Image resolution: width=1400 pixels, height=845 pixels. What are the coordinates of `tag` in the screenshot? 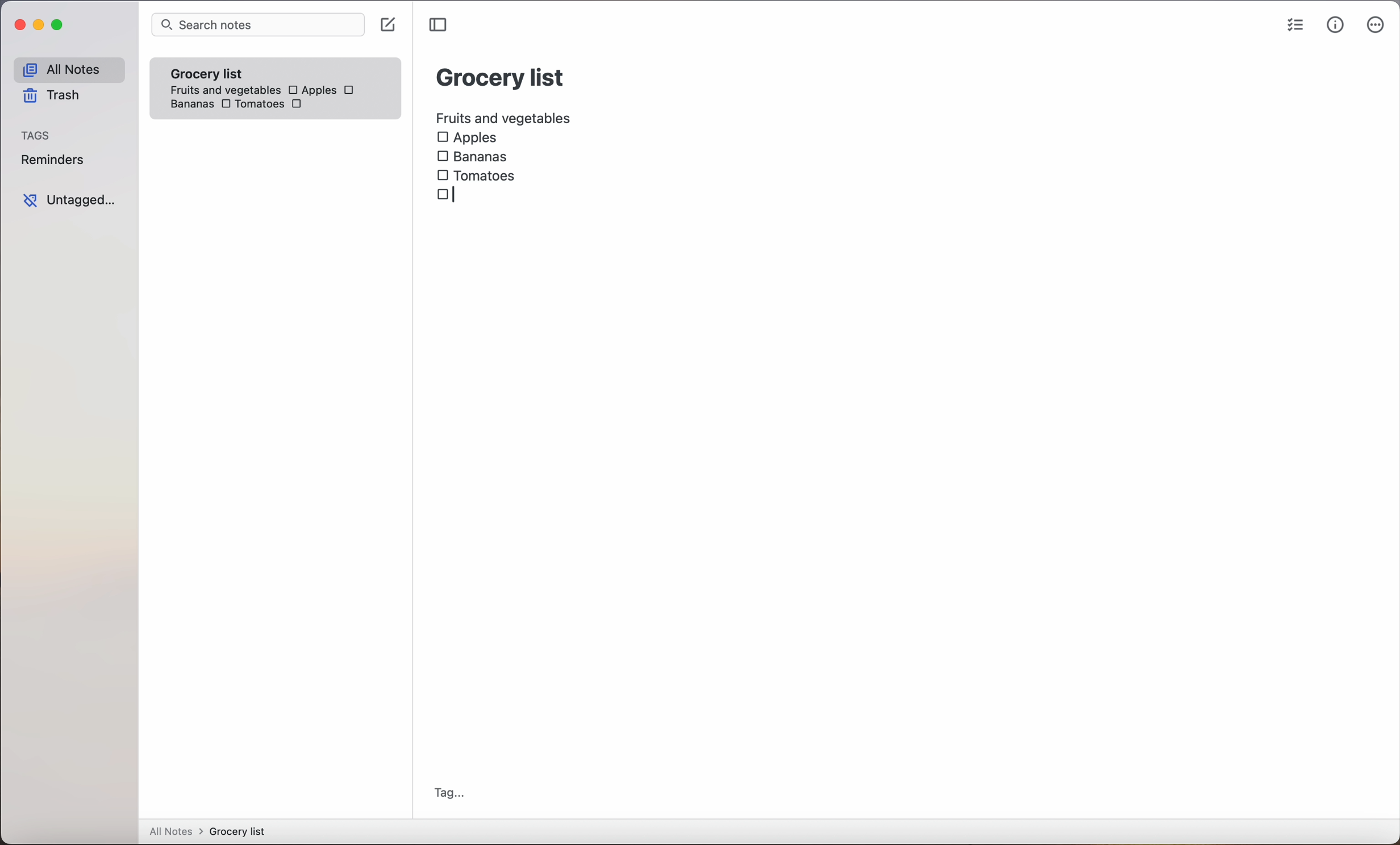 It's located at (449, 793).